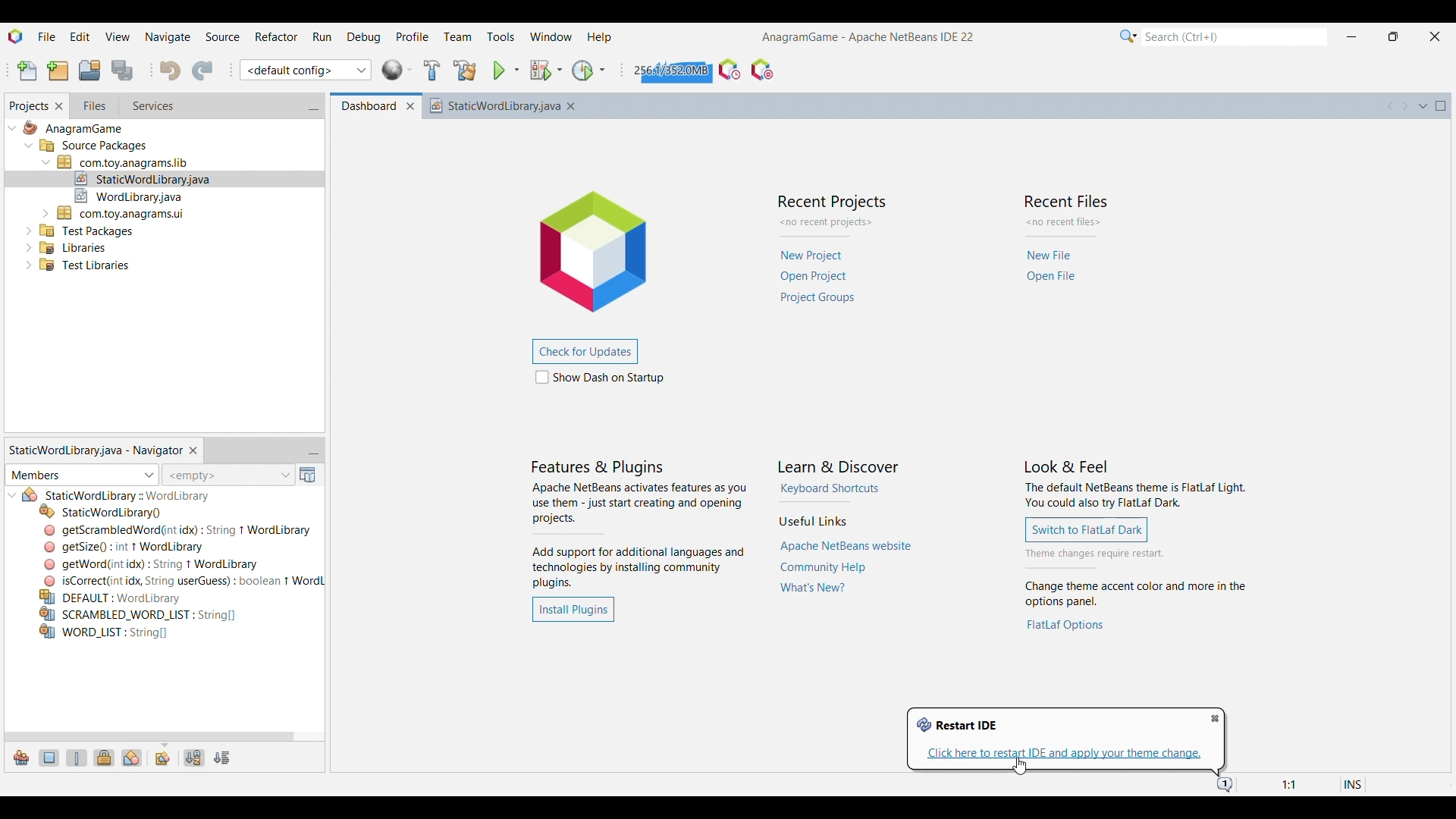 The width and height of the screenshot is (1456, 819). I want to click on , so click(156, 563).